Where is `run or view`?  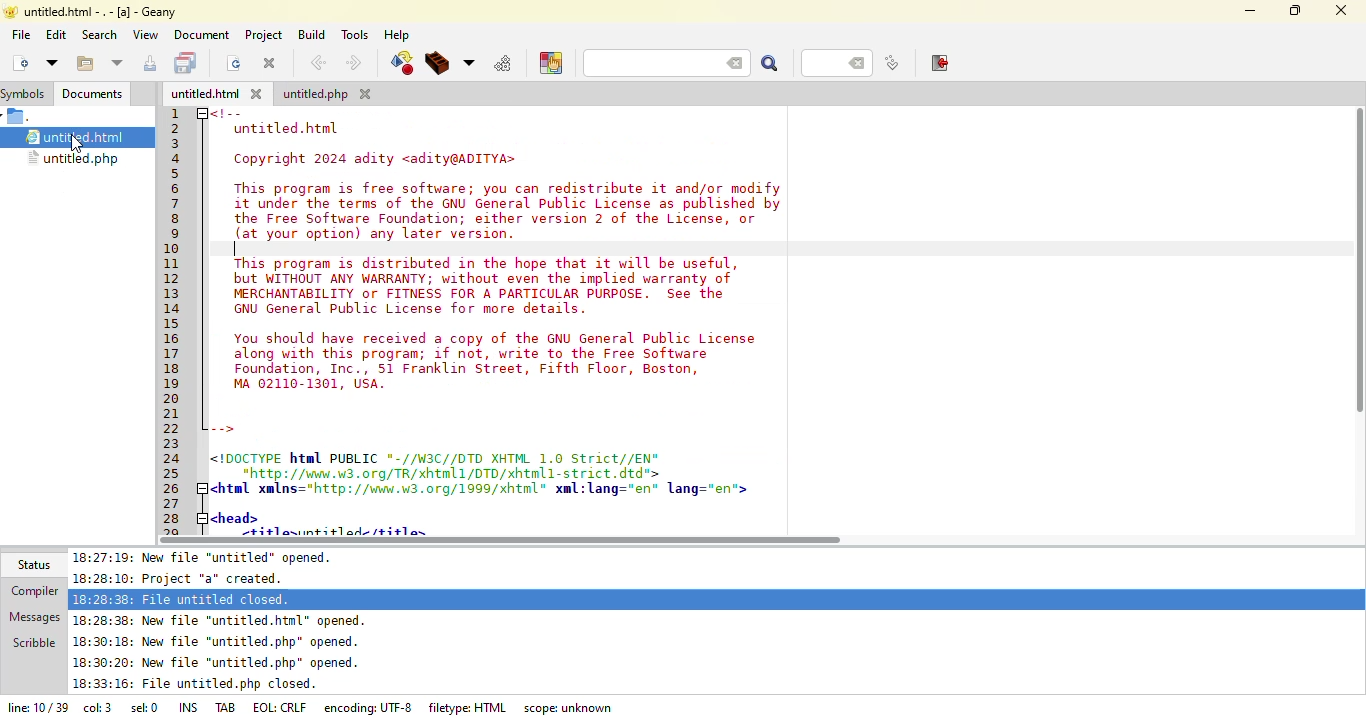
run or view is located at coordinates (503, 63).